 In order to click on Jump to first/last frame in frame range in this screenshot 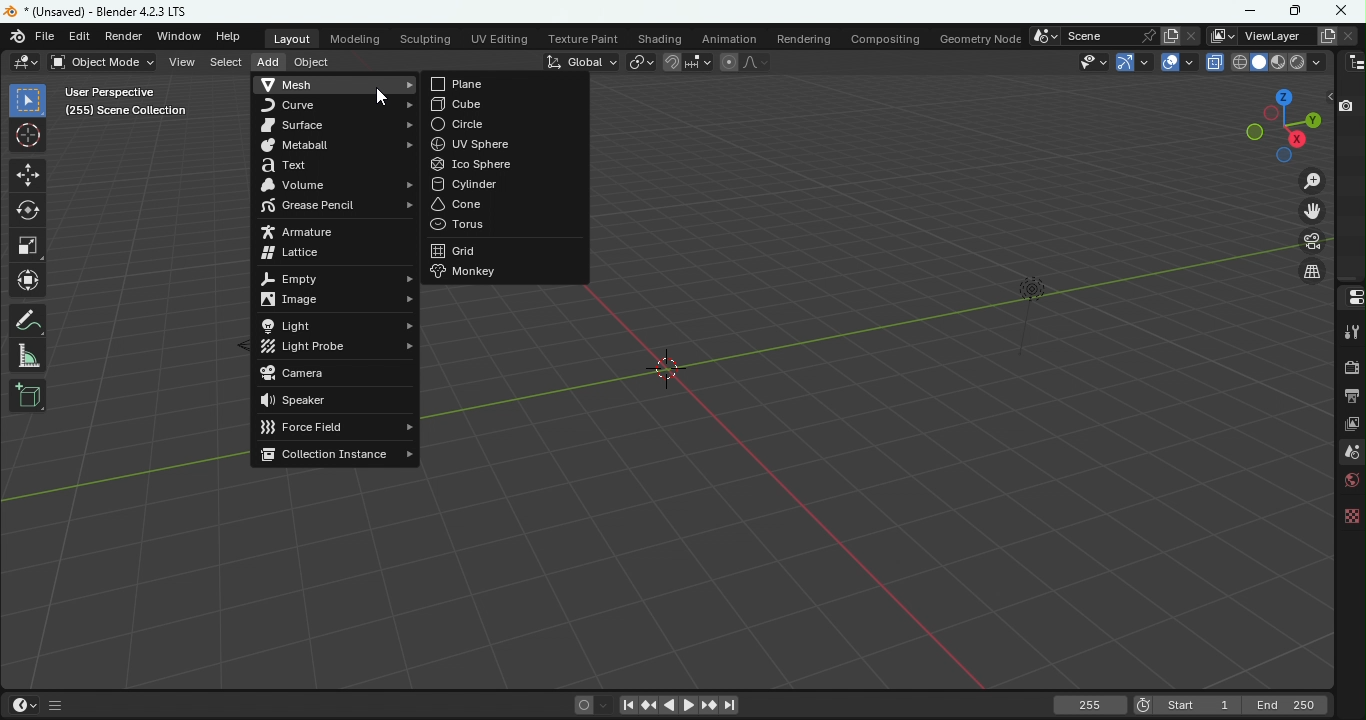, I will do `click(626, 707)`.